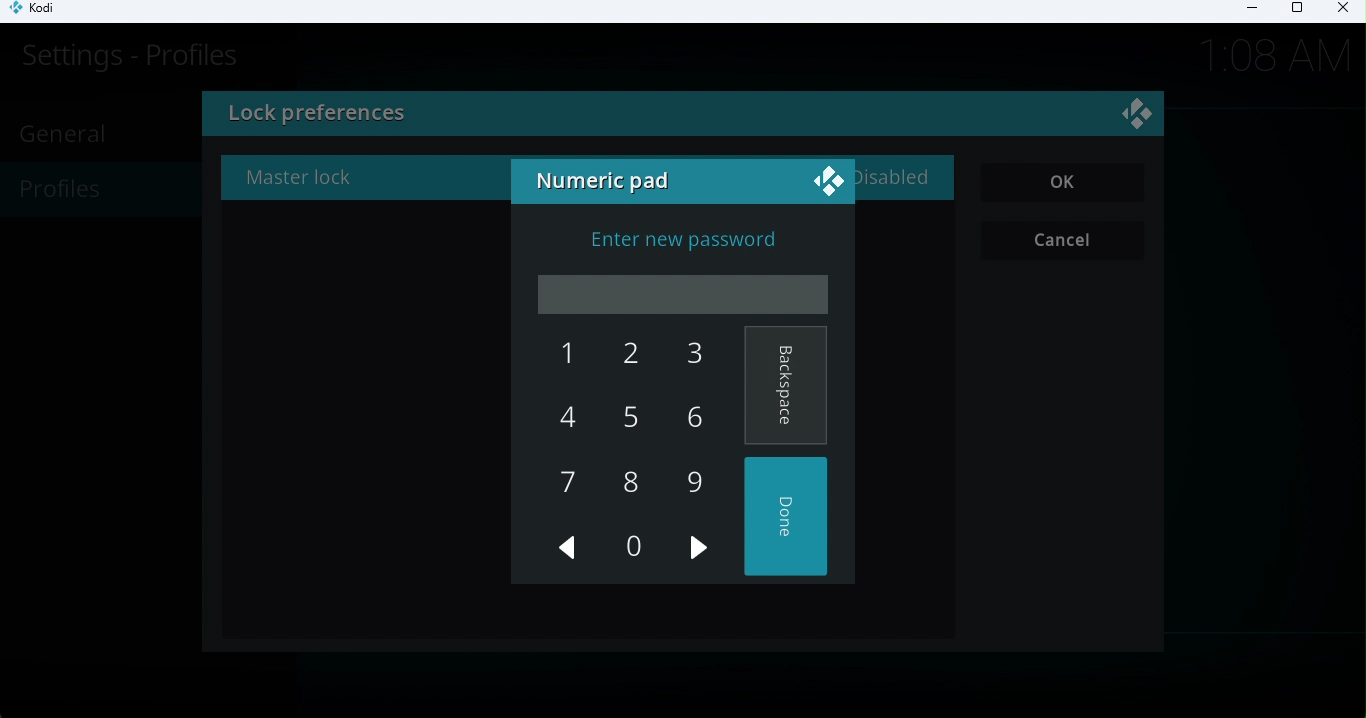 This screenshot has height=718, width=1366. I want to click on Cancel, so click(1066, 241).